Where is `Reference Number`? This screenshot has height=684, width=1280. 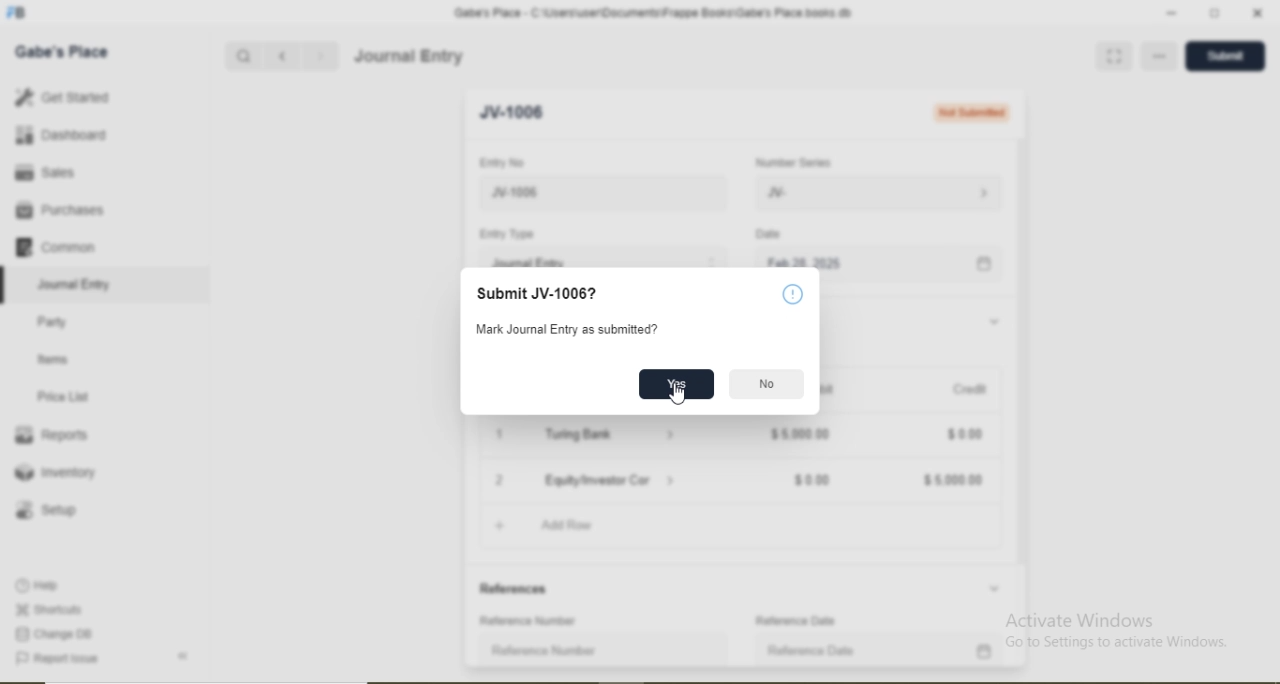
Reference Number is located at coordinates (529, 620).